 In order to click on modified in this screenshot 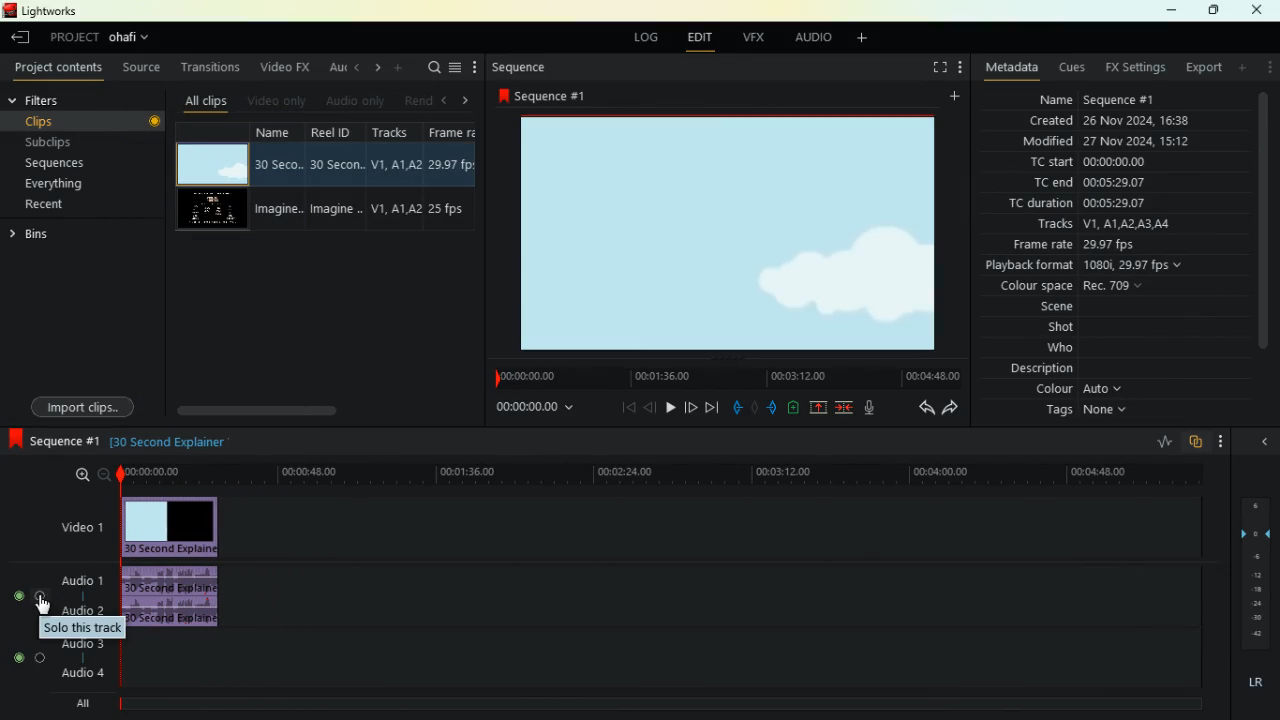, I will do `click(1102, 142)`.